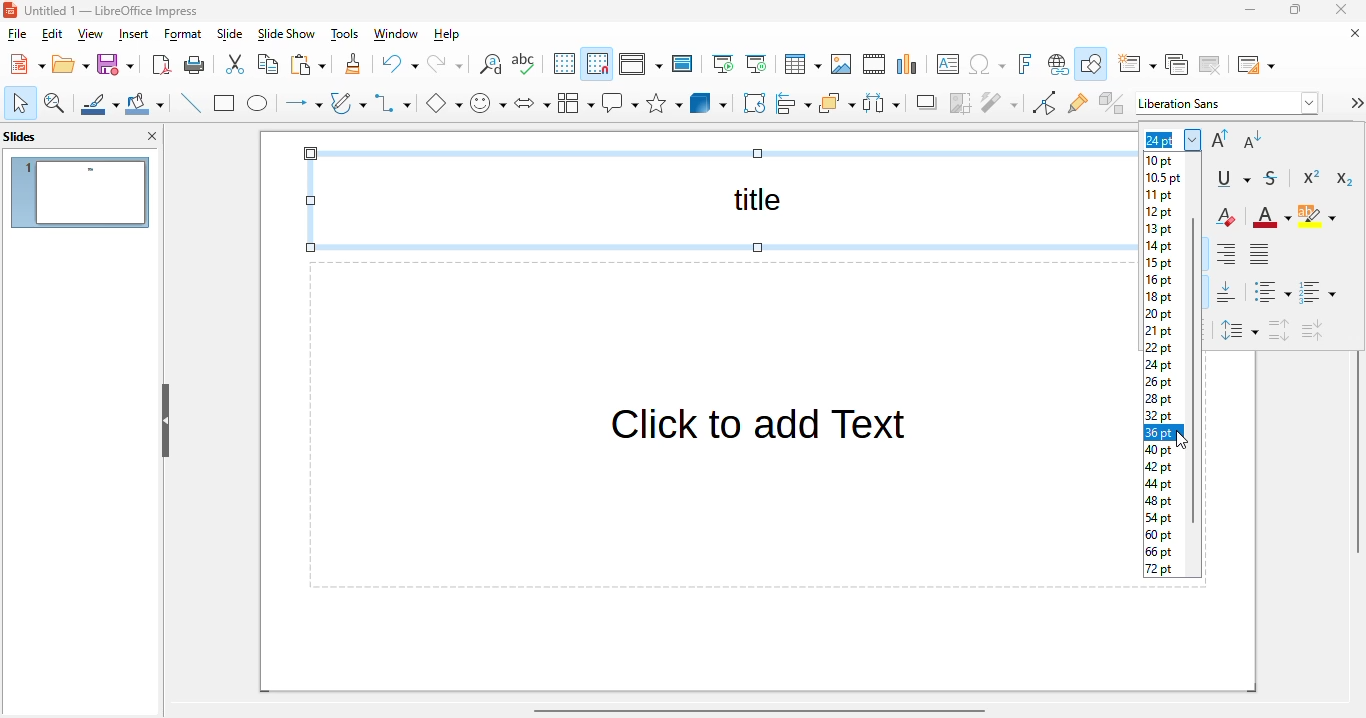  What do you see at coordinates (1159, 298) in the screenshot?
I see `18 pt` at bounding box center [1159, 298].